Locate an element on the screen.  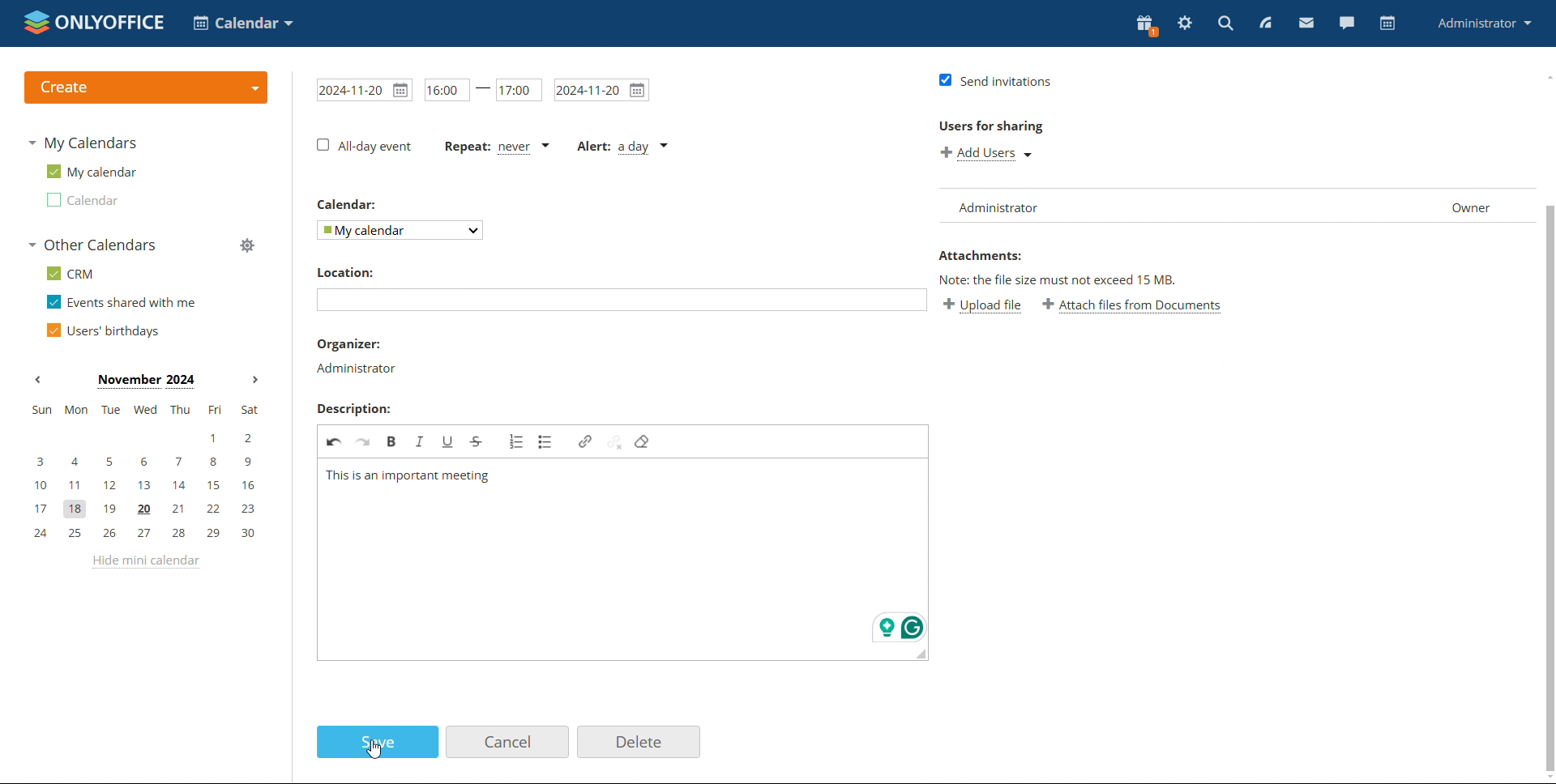
mini calendar is located at coordinates (145, 472).